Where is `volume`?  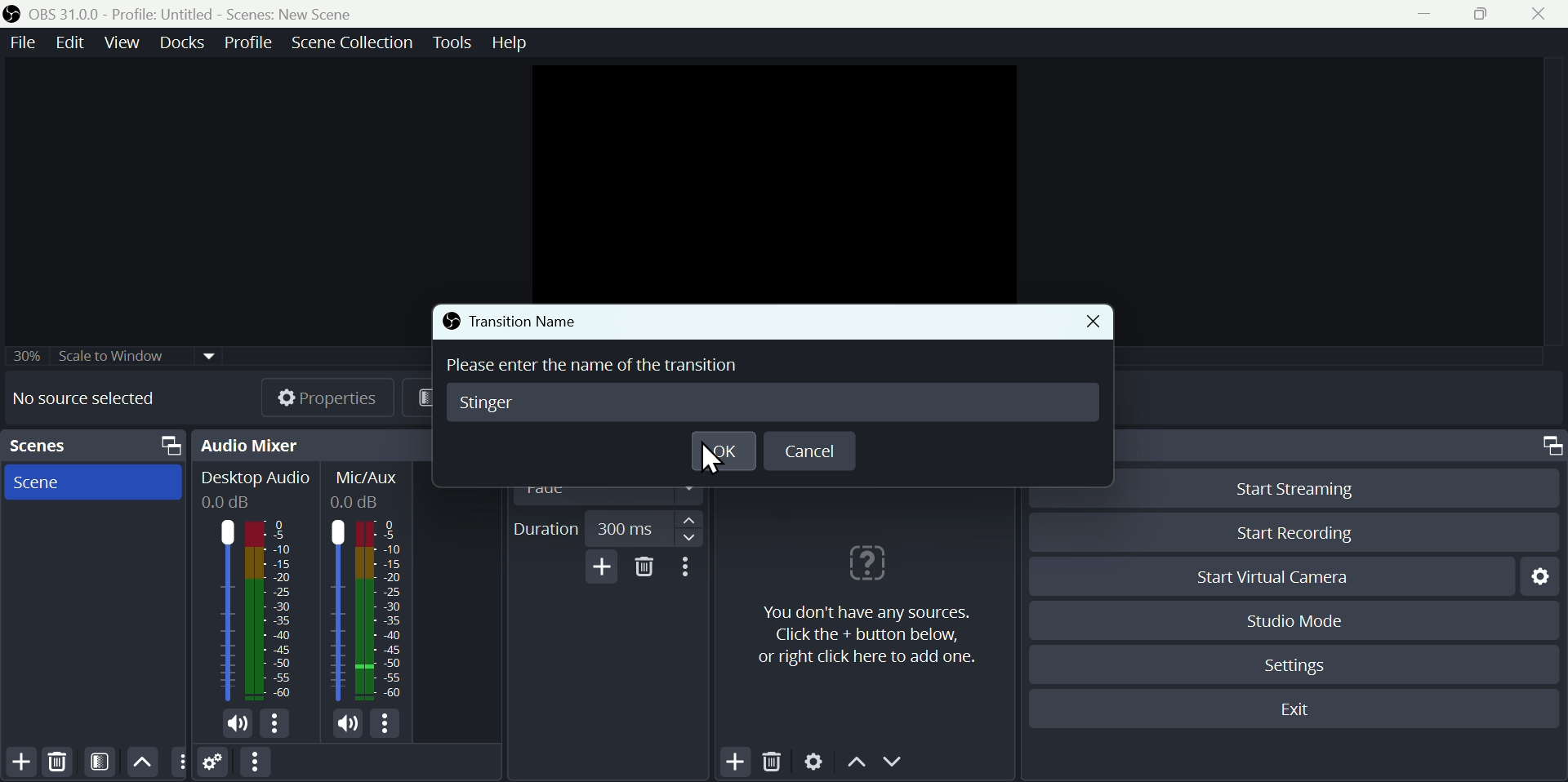 volume is located at coordinates (351, 726).